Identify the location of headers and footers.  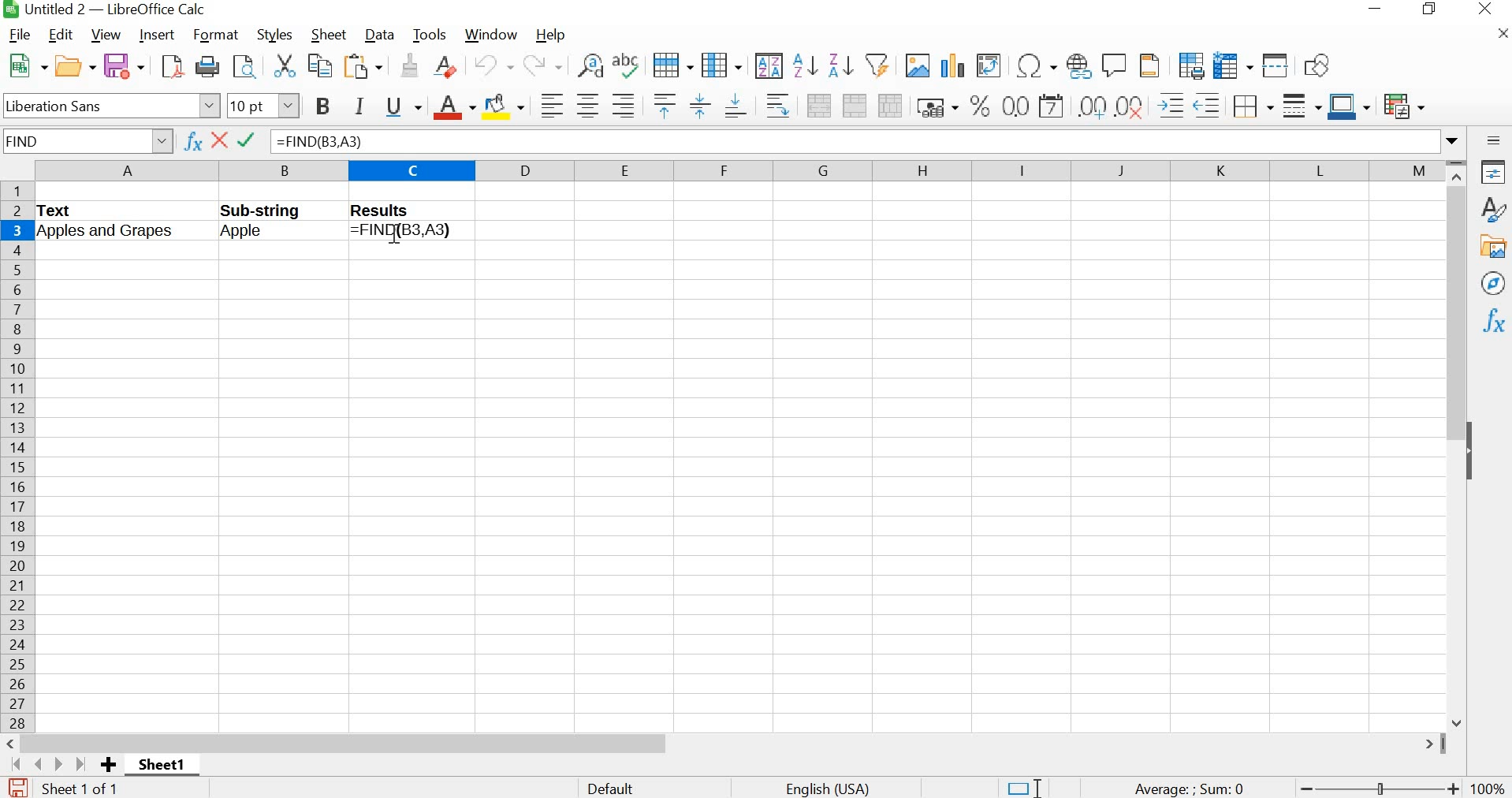
(1151, 65).